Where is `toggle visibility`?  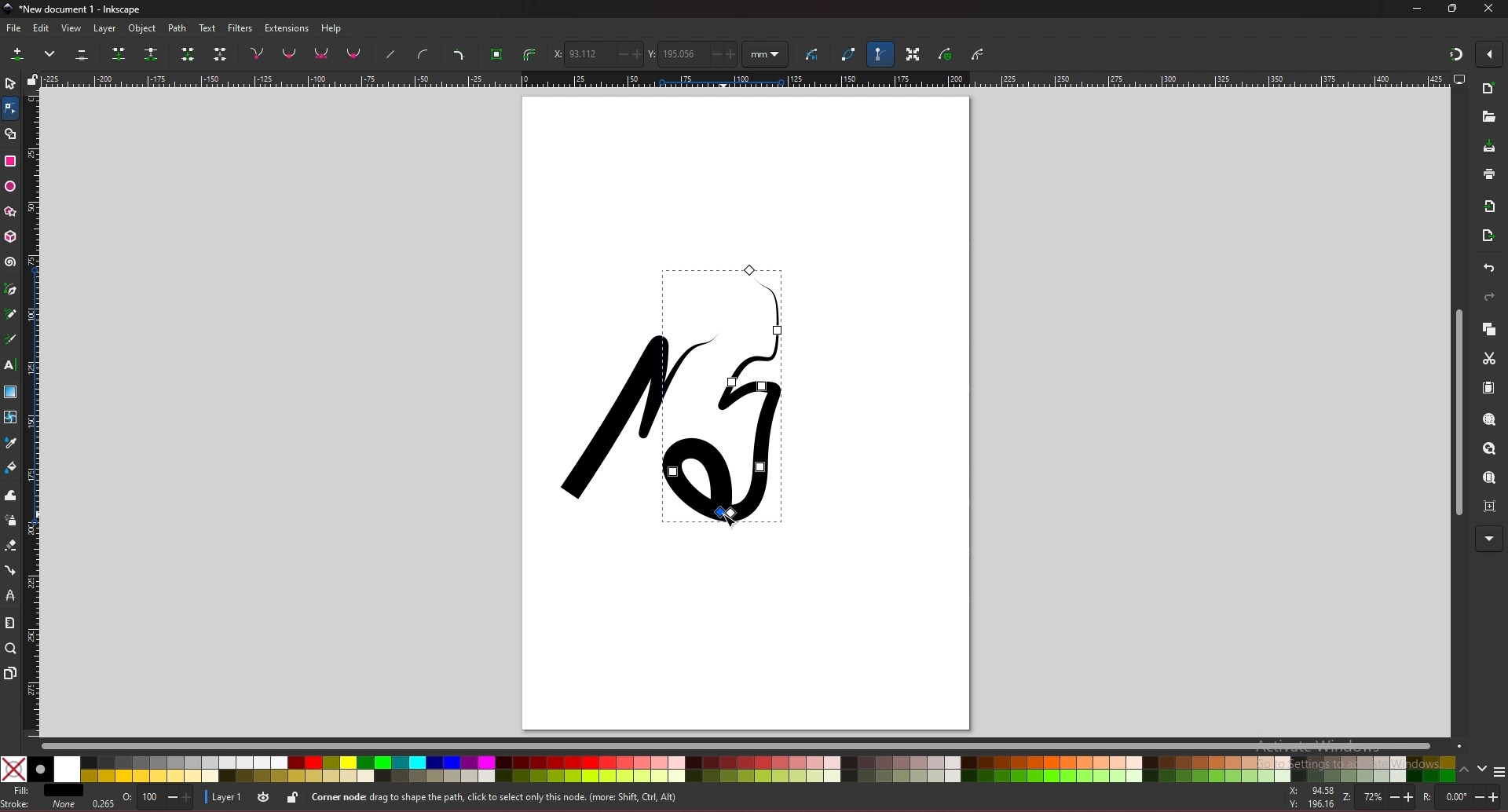 toggle visibility is located at coordinates (265, 796).